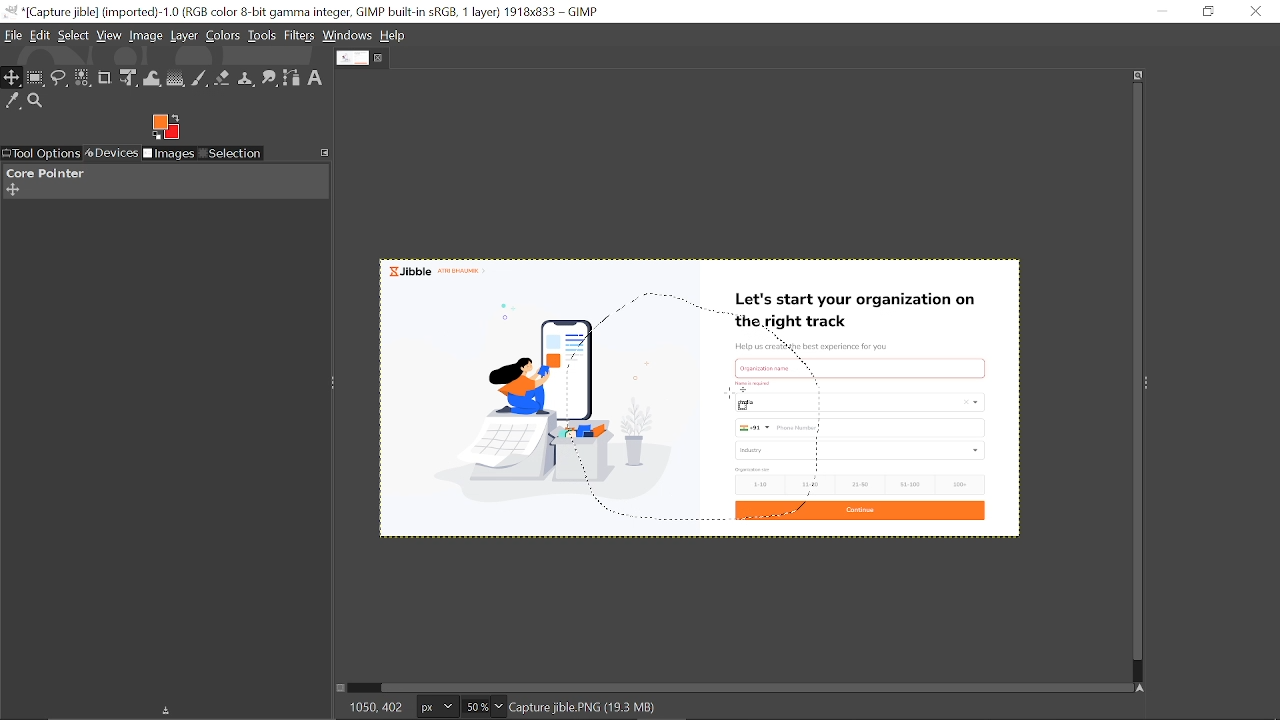 The width and height of the screenshot is (1280, 720). I want to click on Select by color, so click(83, 79).